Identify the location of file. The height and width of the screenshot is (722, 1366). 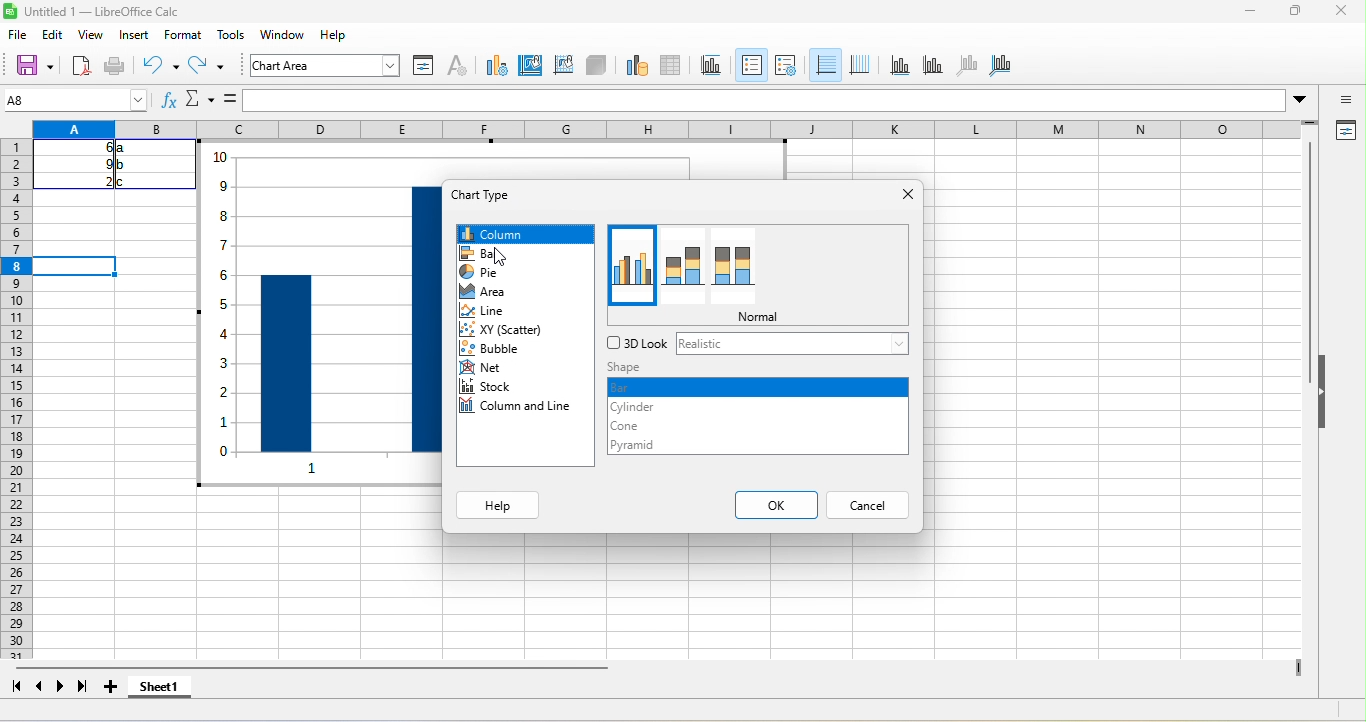
(18, 35).